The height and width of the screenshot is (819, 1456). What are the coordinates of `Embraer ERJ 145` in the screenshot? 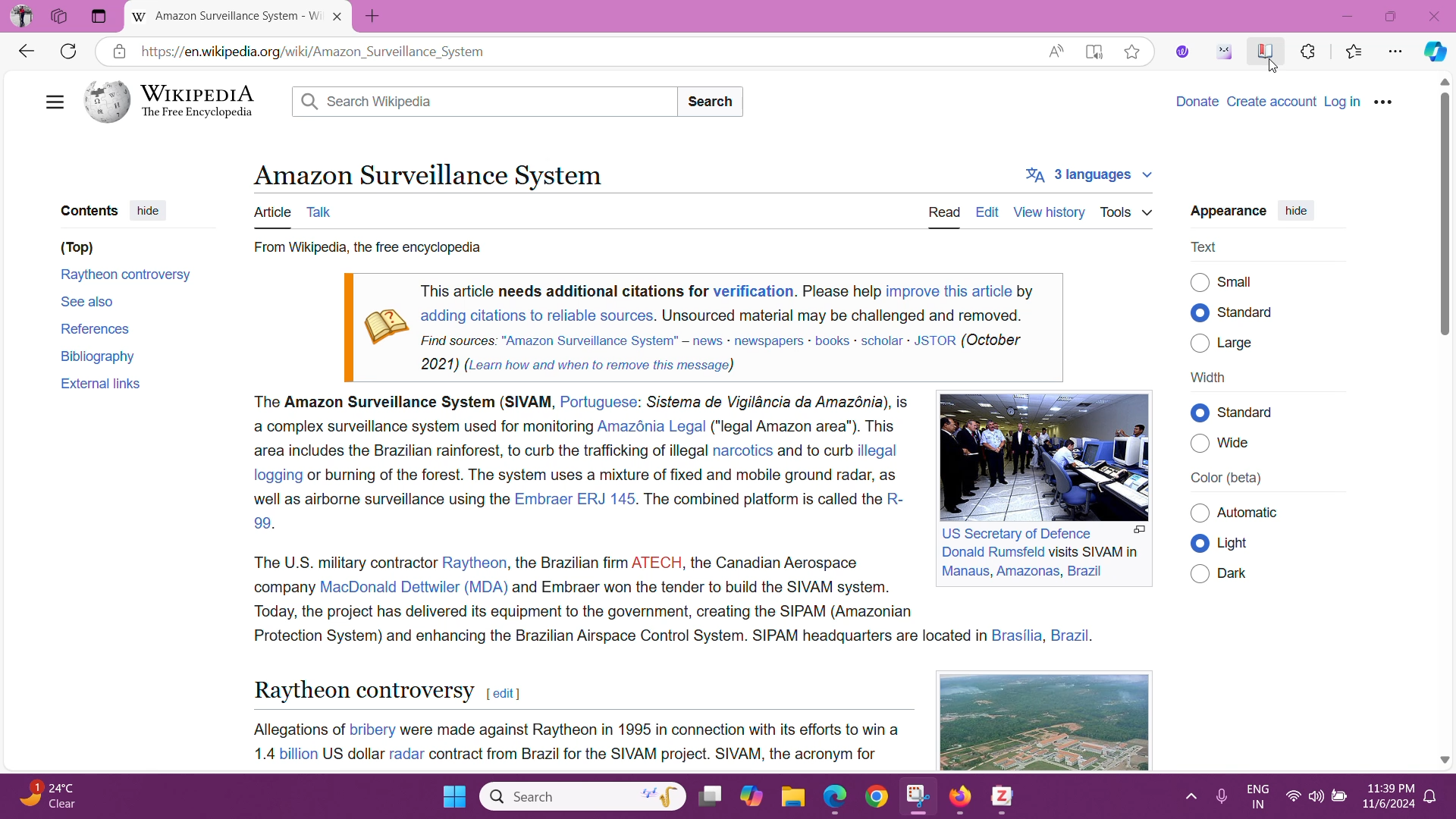 It's located at (573, 498).